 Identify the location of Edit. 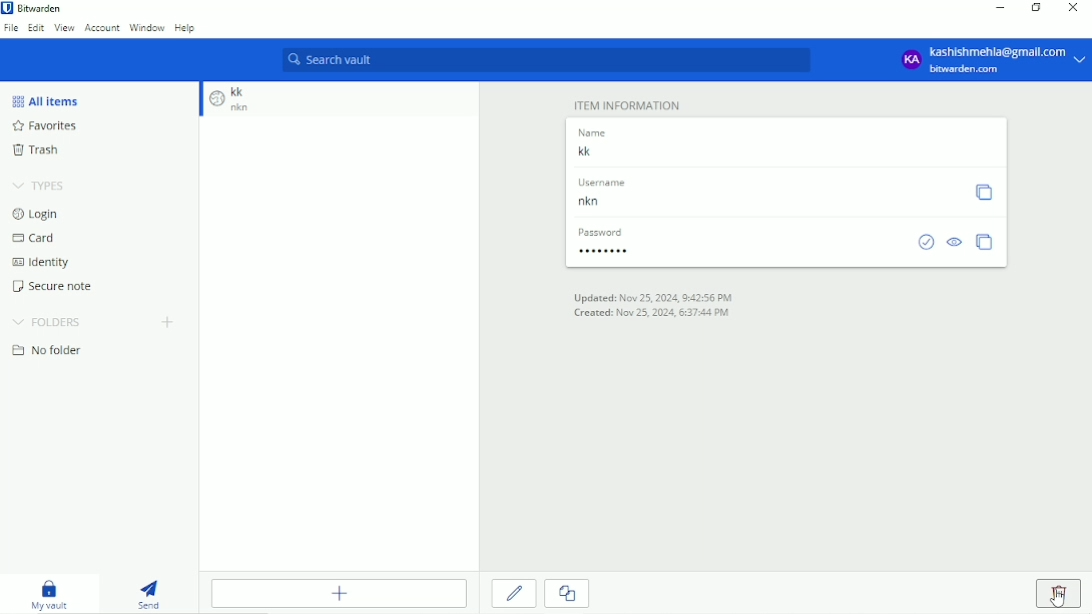
(514, 593).